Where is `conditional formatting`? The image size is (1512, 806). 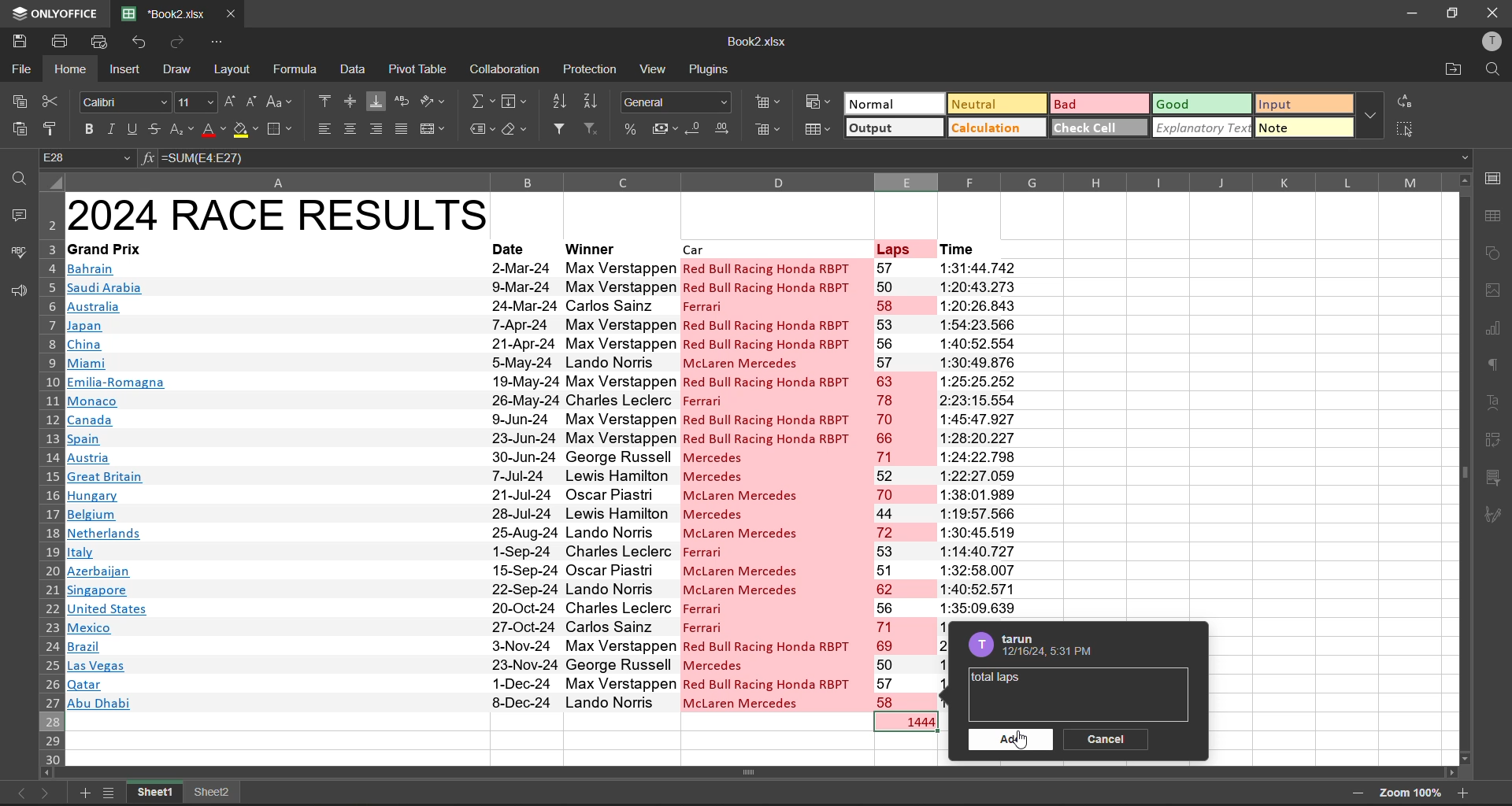 conditional formatting is located at coordinates (818, 106).